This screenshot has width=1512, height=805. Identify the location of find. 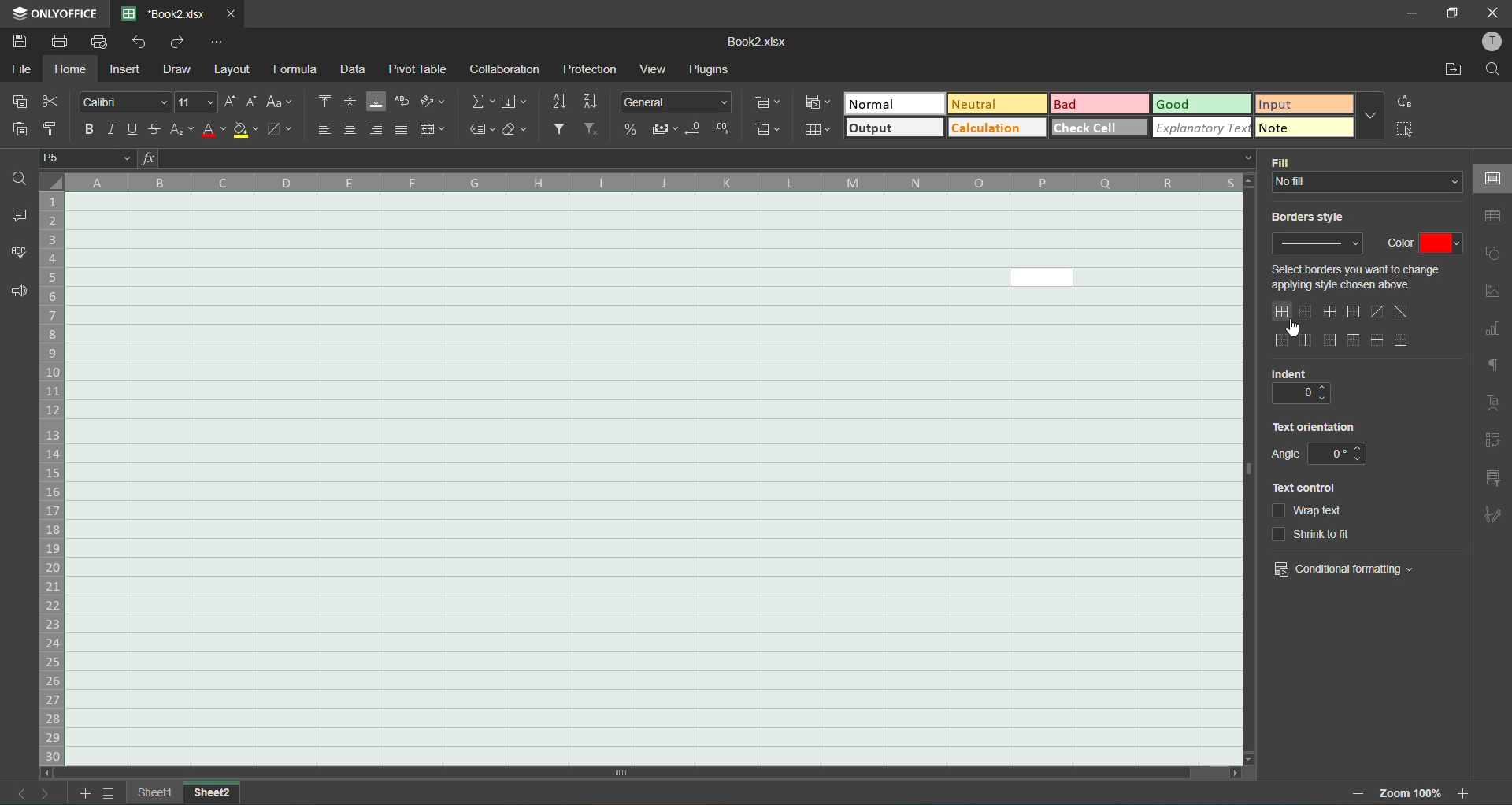
(1493, 69).